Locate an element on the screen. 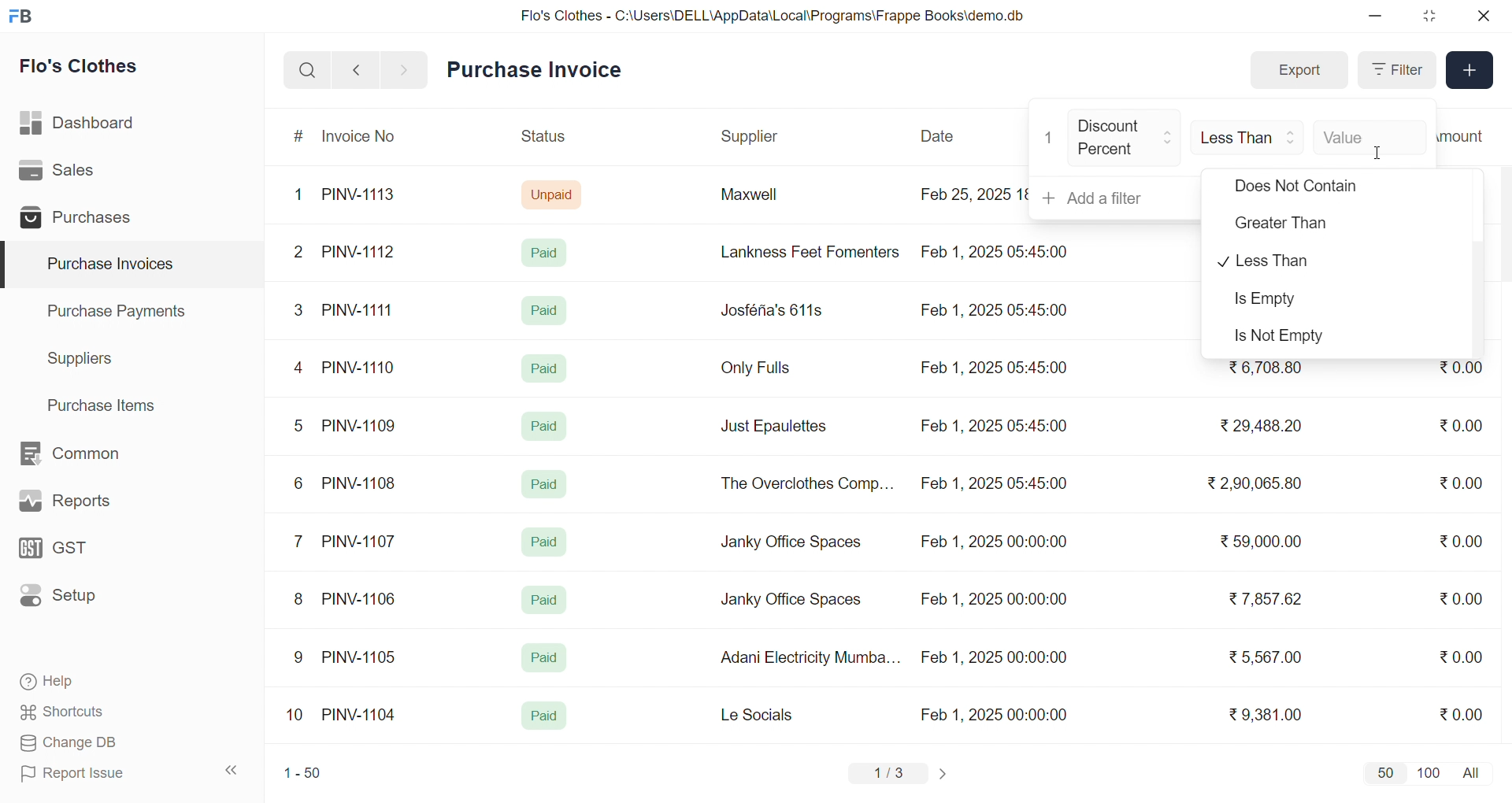 The height and width of the screenshot is (803, 1512). 1 is located at coordinates (302, 195).